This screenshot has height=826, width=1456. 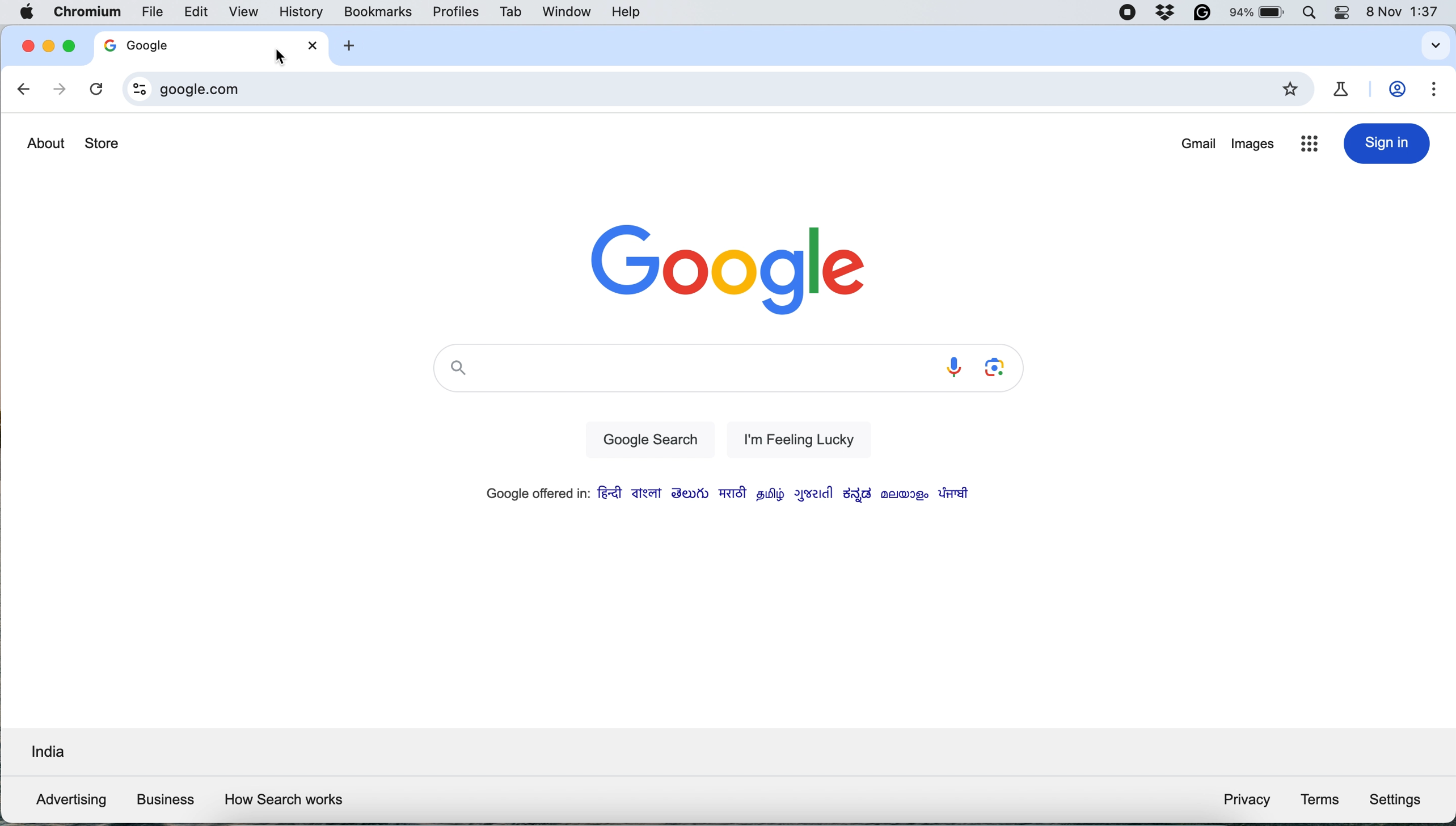 What do you see at coordinates (85, 14) in the screenshot?
I see `chromium` at bounding box center [85, 14].